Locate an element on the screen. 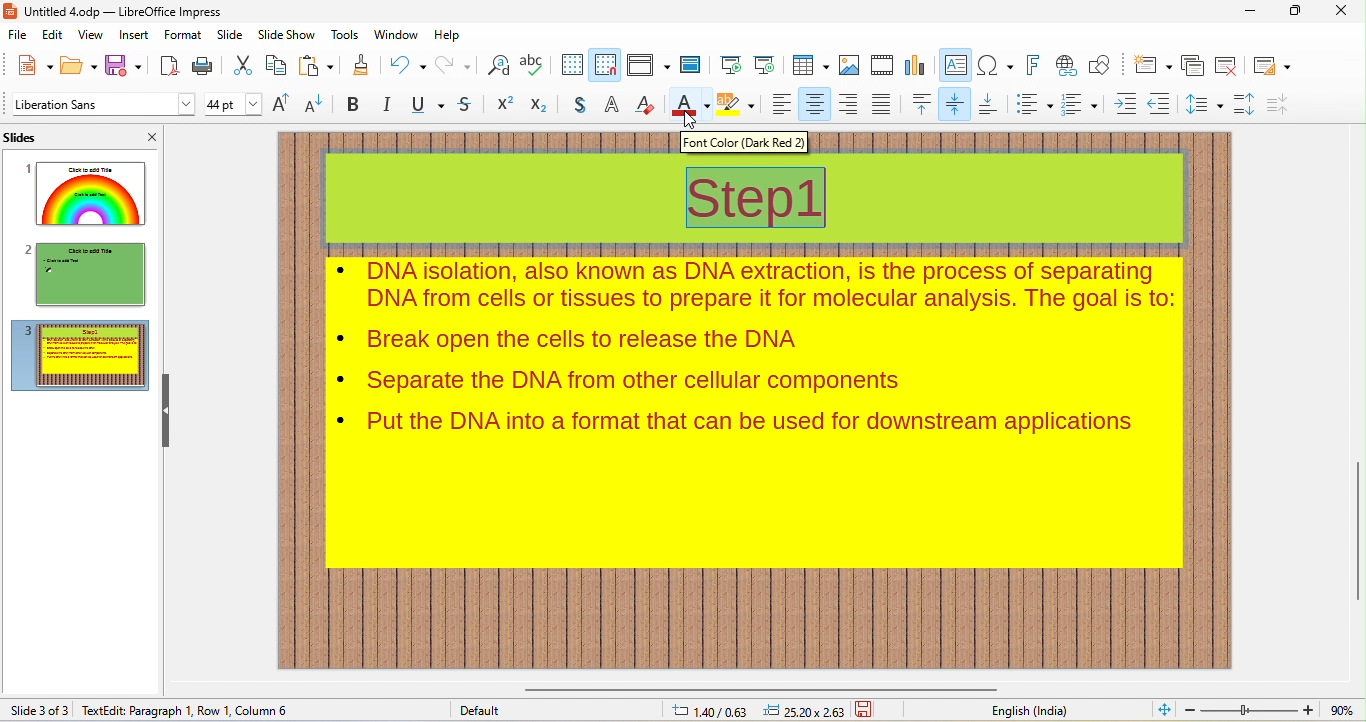  cursor and object position changed is located at coordinates (758, 711).